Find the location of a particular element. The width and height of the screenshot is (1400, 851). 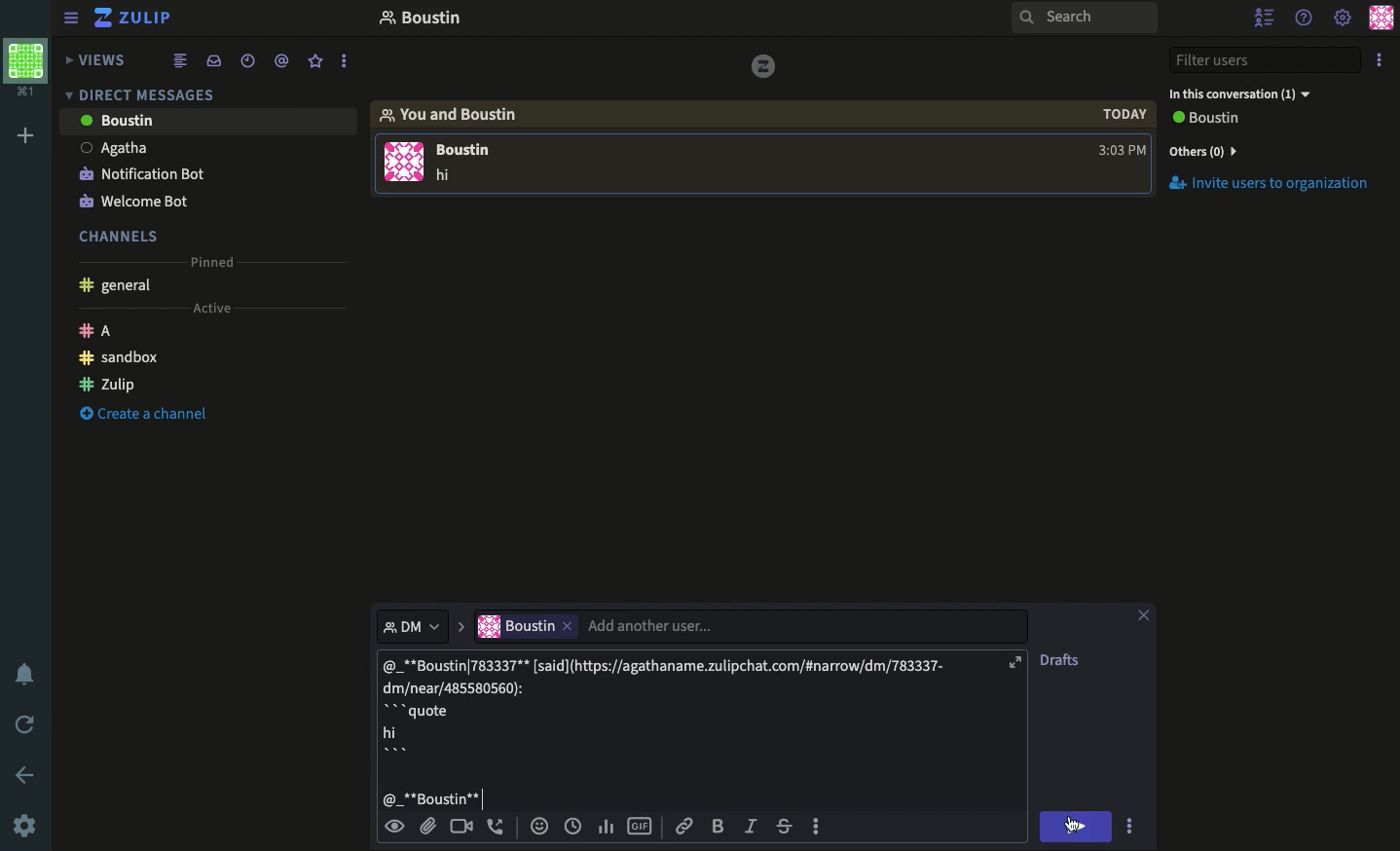

Create channel is located at coordinates (145, 416).